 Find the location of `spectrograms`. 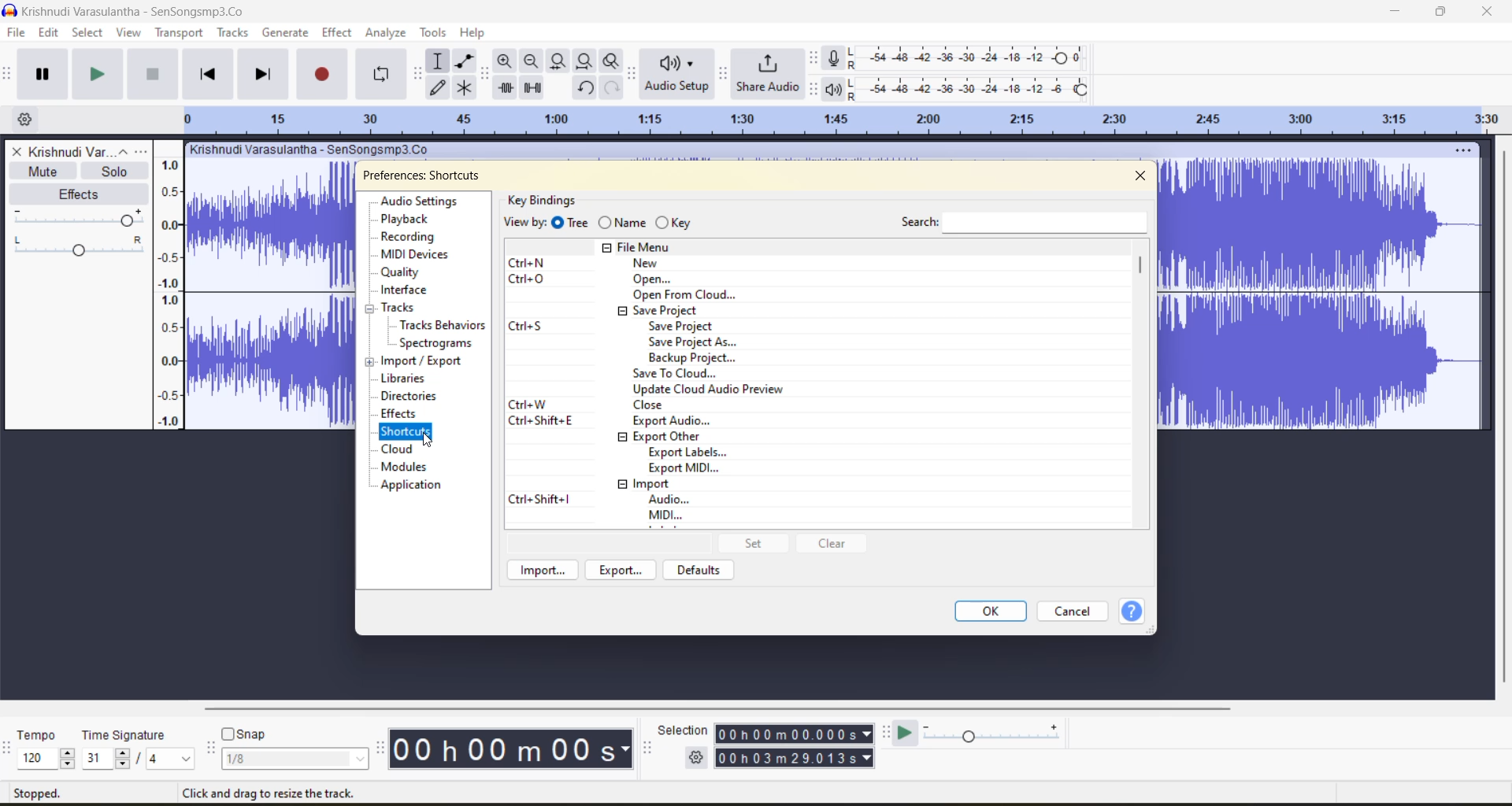

spectrograms is located at coordinates (444, 343).